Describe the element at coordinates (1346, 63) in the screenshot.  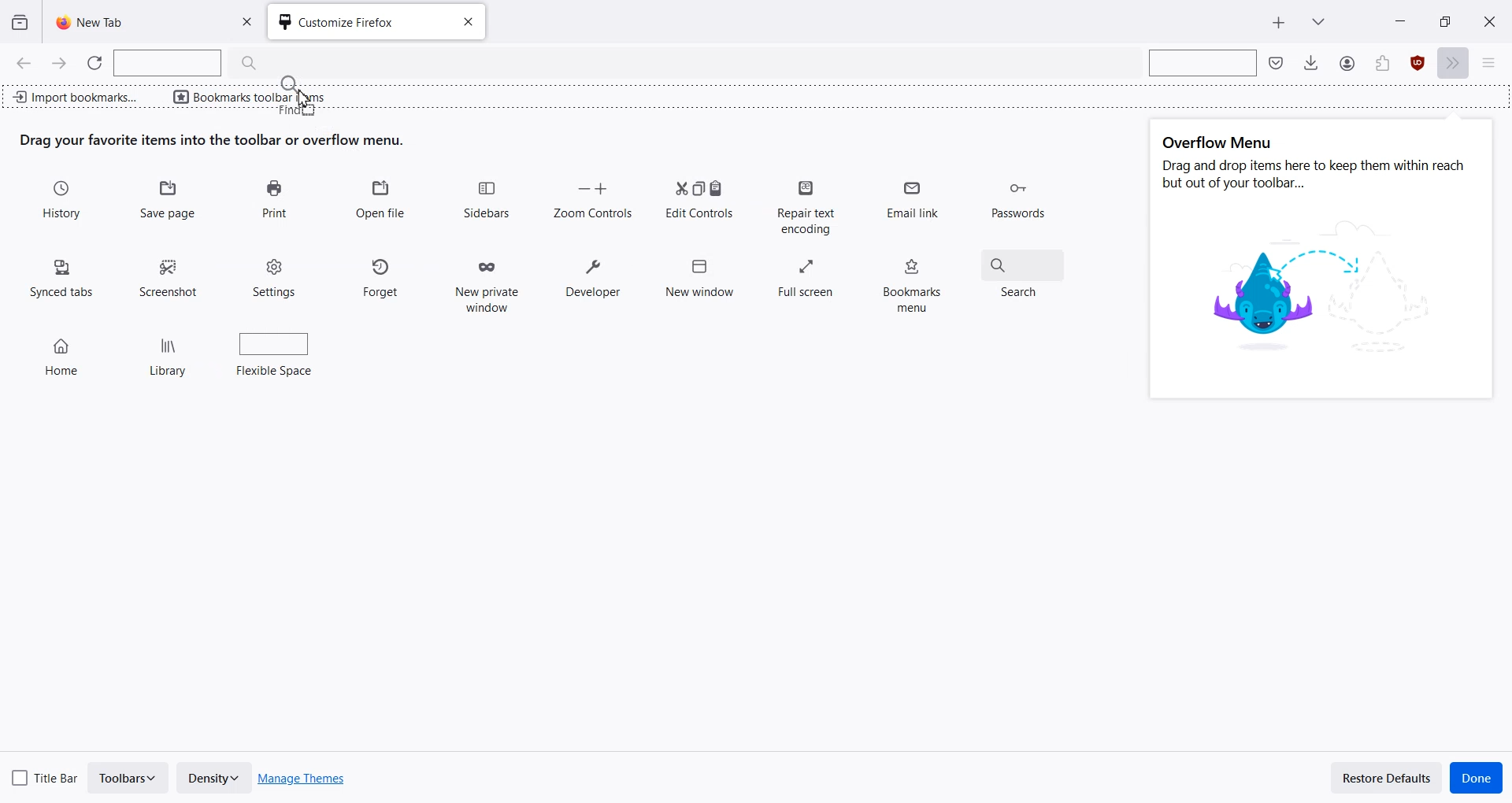
I see `Save to Pocket` at that location.